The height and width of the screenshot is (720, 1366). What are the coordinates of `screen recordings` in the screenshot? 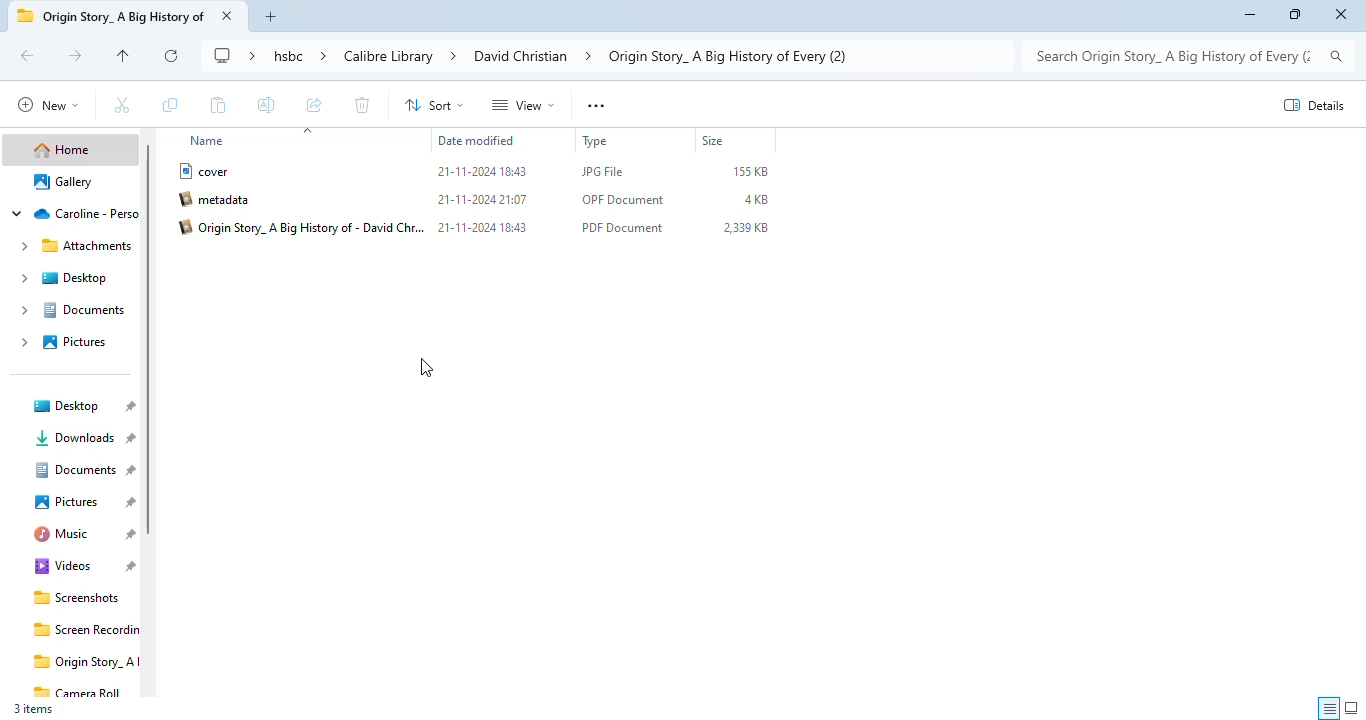 It's located at (85, 630).